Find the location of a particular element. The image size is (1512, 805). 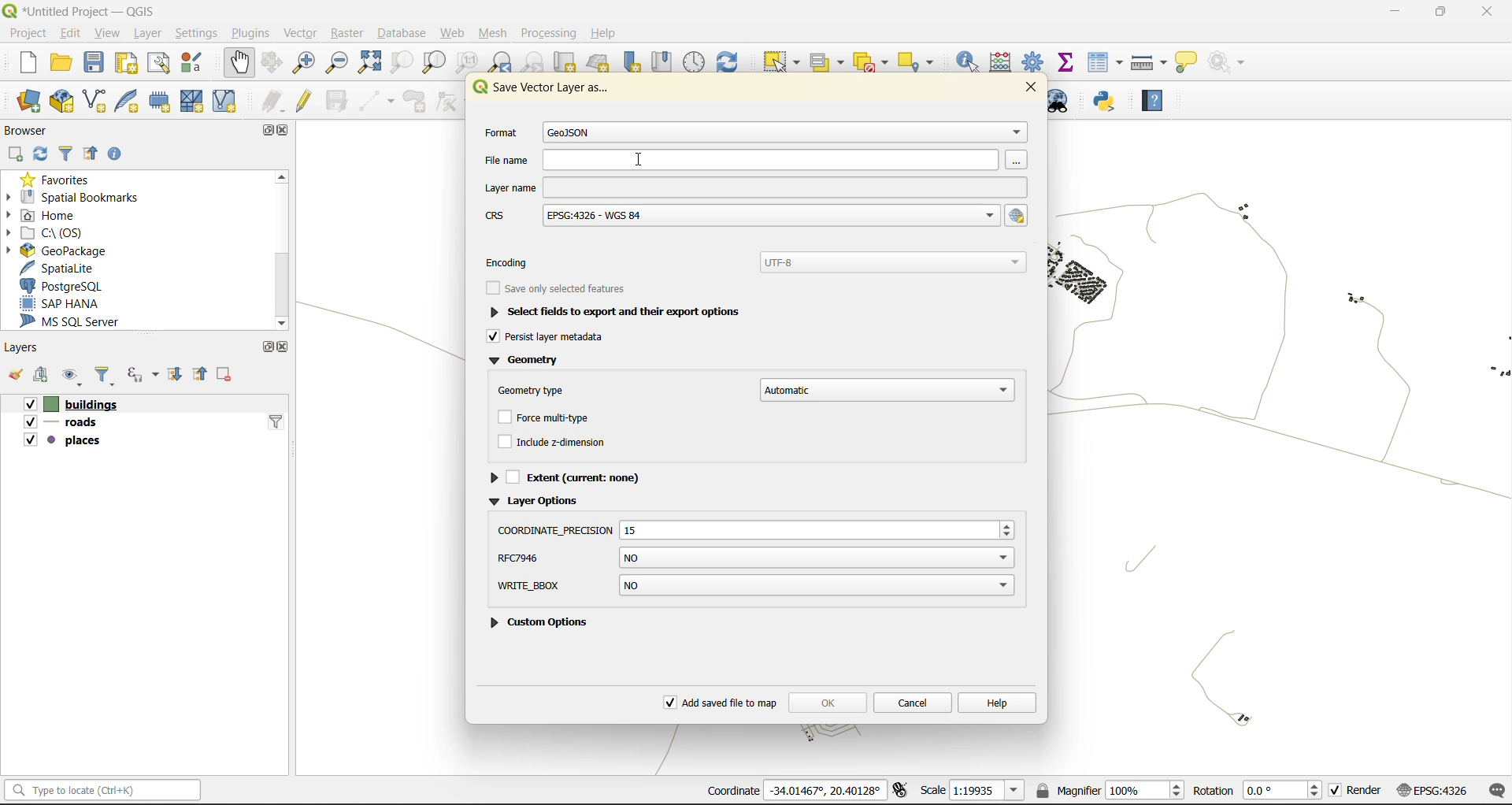

geopackage is located at coordinates (72, 252).